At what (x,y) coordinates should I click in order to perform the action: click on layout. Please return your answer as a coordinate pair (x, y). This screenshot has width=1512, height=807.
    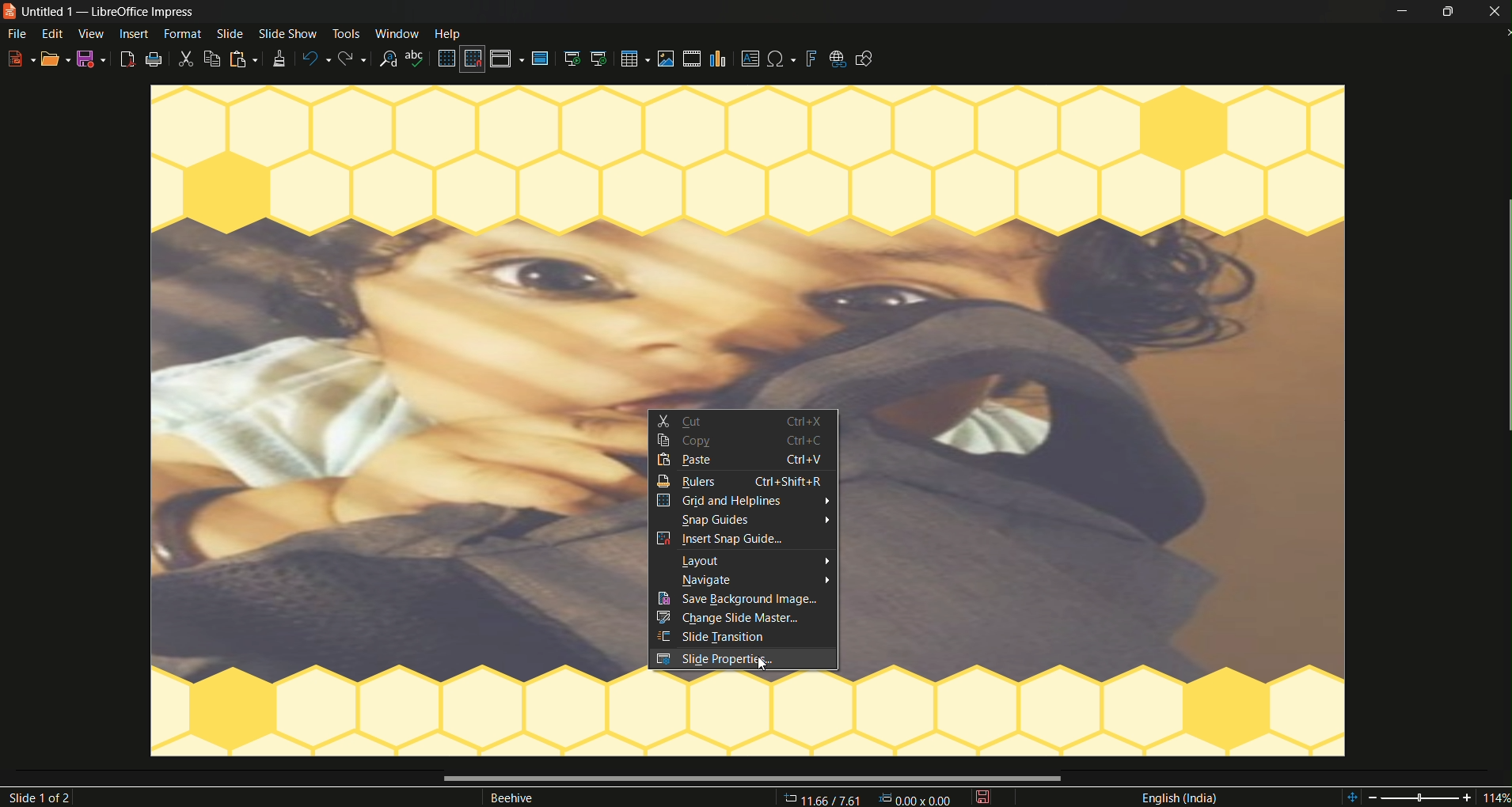
    Looking at the image, I should click on (721, 559).